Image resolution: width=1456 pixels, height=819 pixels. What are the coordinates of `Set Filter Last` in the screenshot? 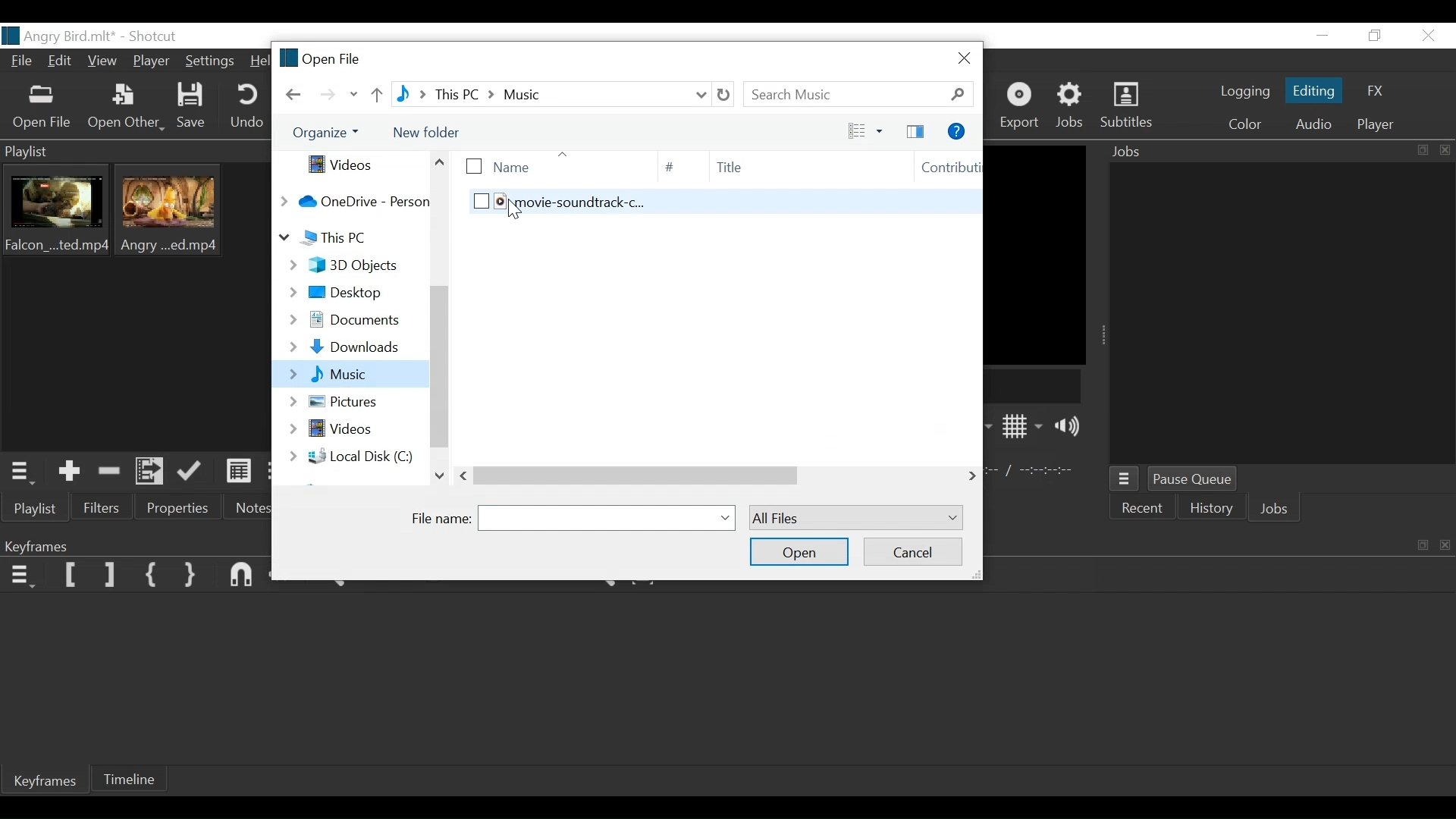 It's located at (111, 575).